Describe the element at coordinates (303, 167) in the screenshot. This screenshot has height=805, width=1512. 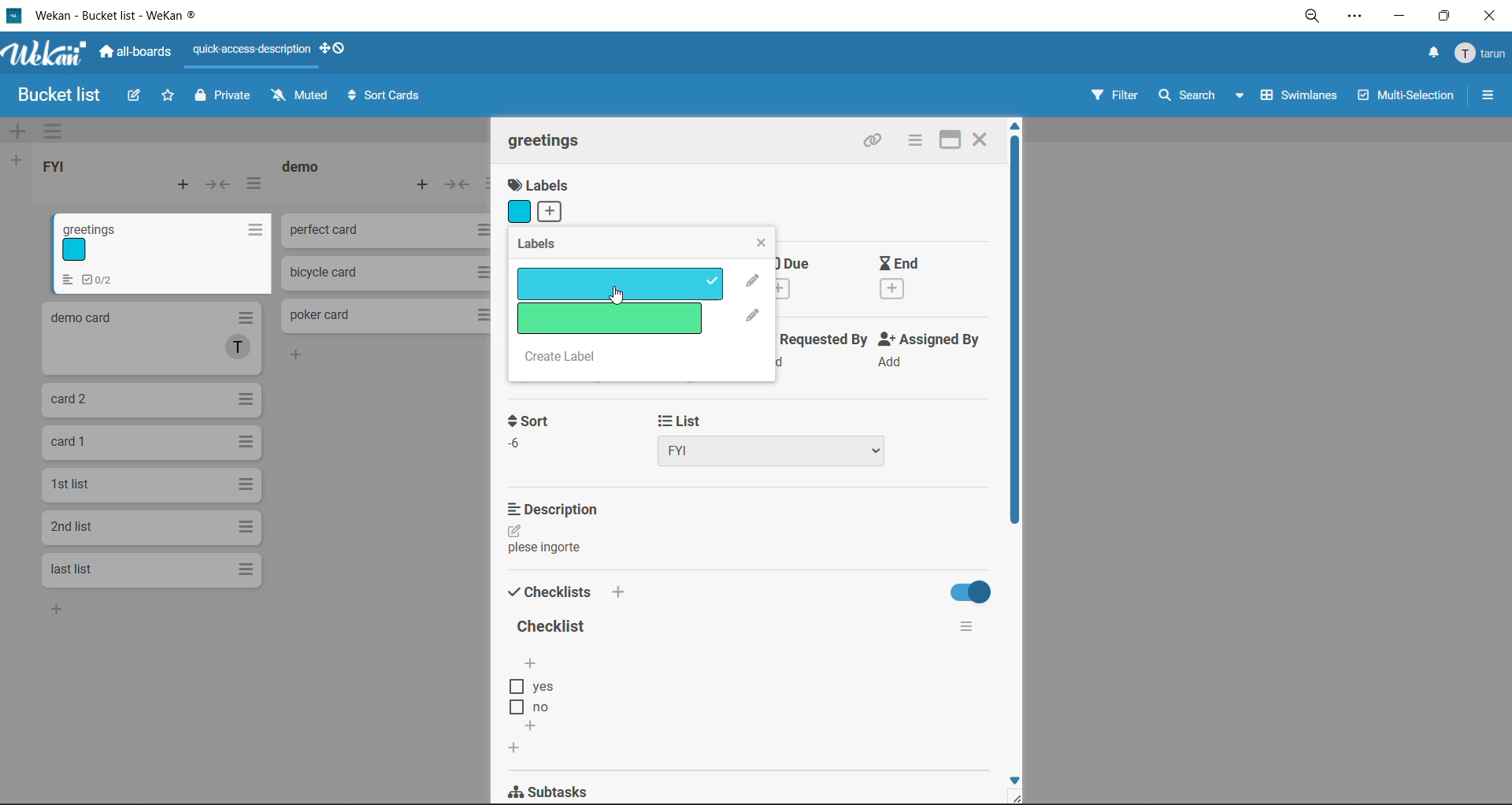
I see `list title` at that location.